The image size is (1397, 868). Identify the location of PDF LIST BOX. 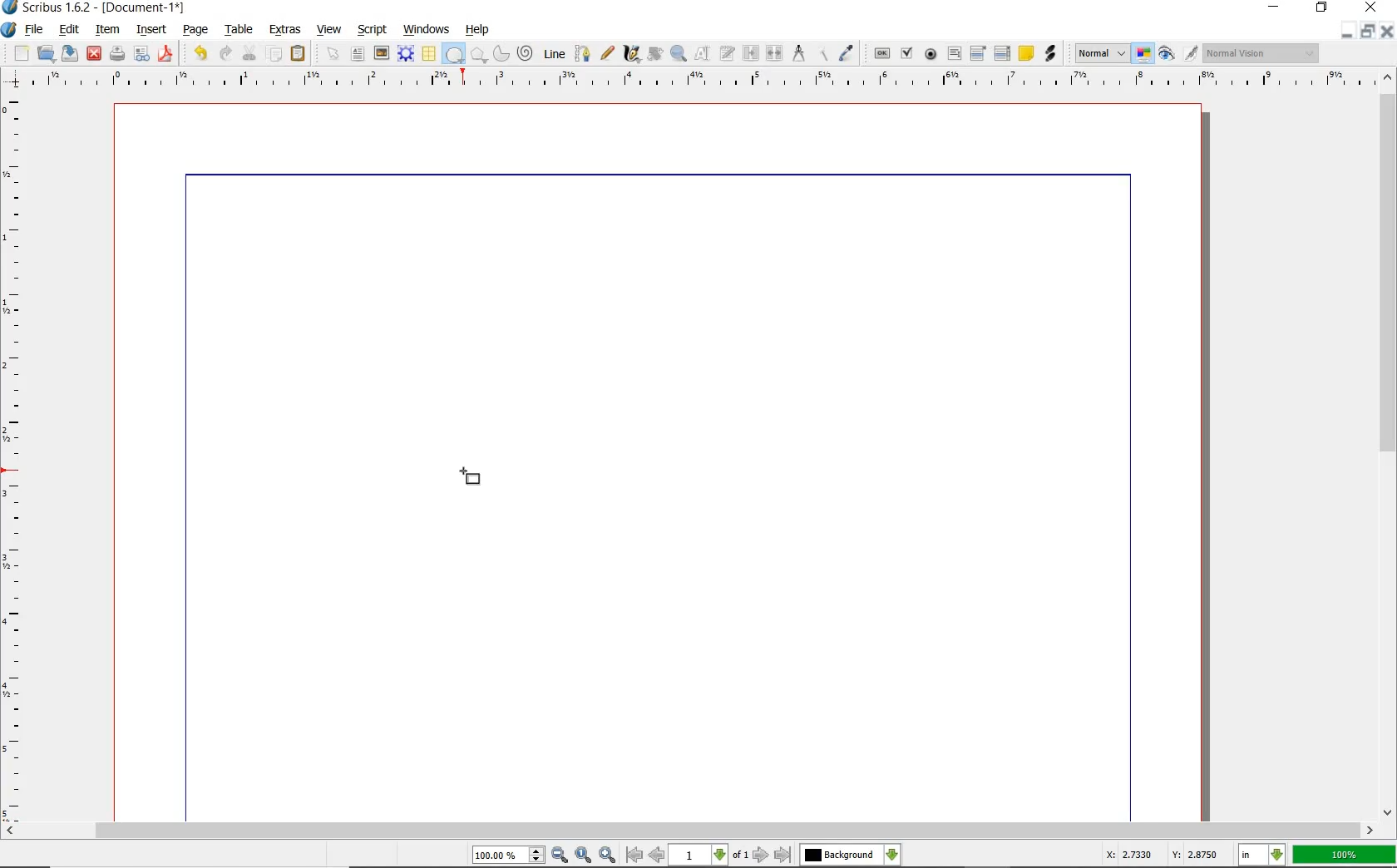
(1004, 53).